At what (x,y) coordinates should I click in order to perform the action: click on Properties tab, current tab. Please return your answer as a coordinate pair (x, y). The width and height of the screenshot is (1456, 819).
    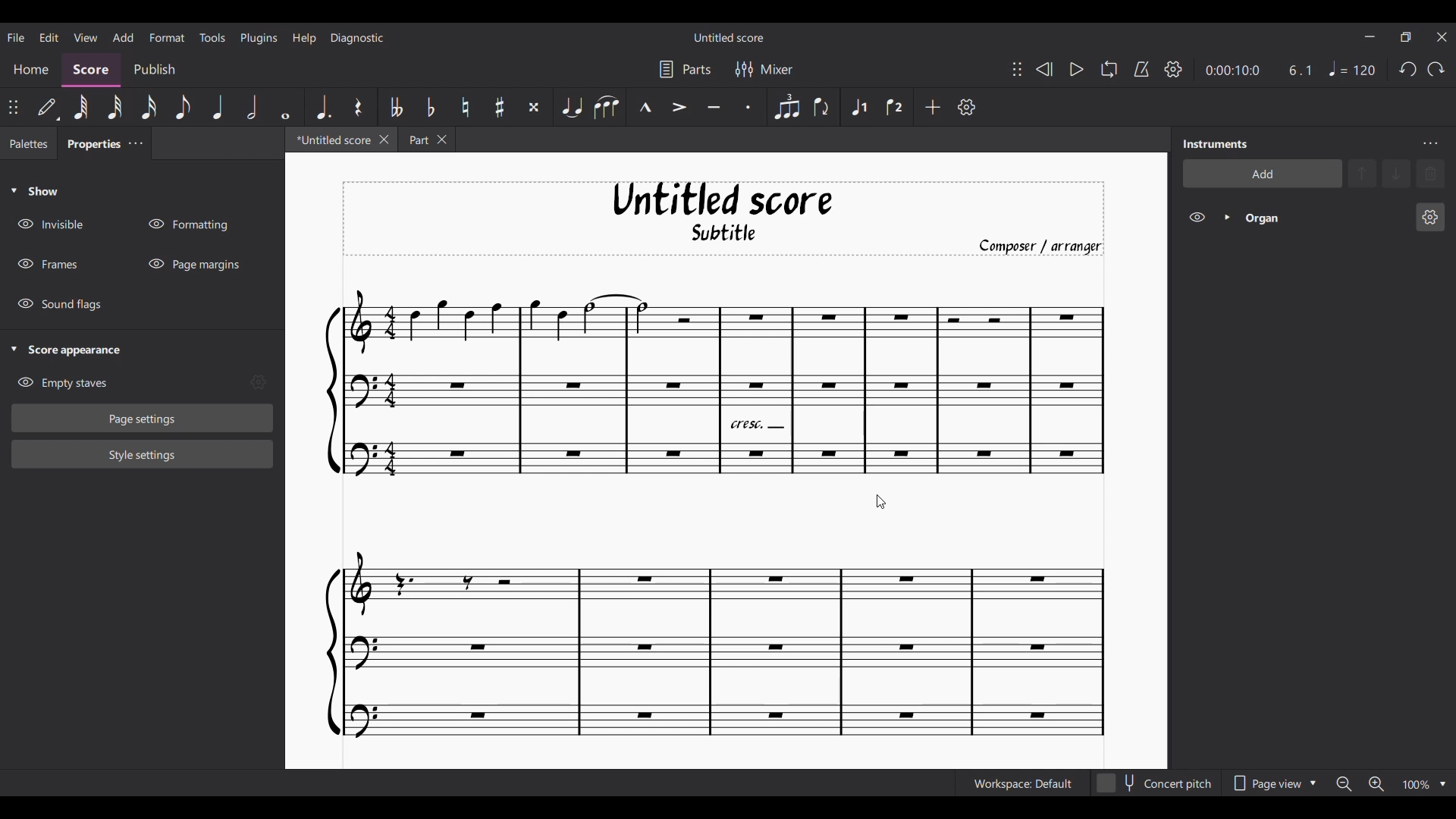
    Looking at the image, I should click on (90, 143).